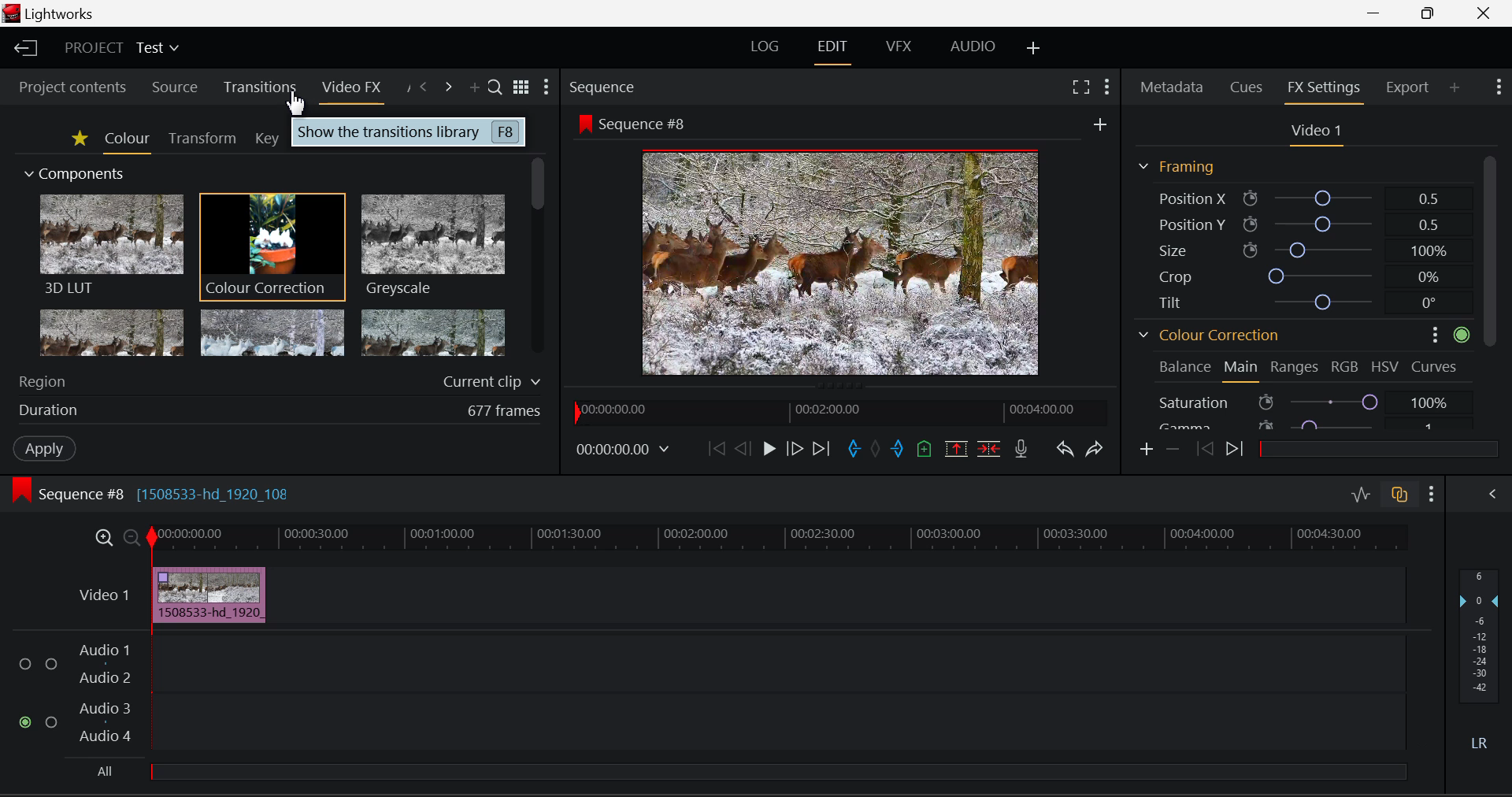 This screenshot has height=797, width=1512. I want to click on Project Title, so click(120, 48).